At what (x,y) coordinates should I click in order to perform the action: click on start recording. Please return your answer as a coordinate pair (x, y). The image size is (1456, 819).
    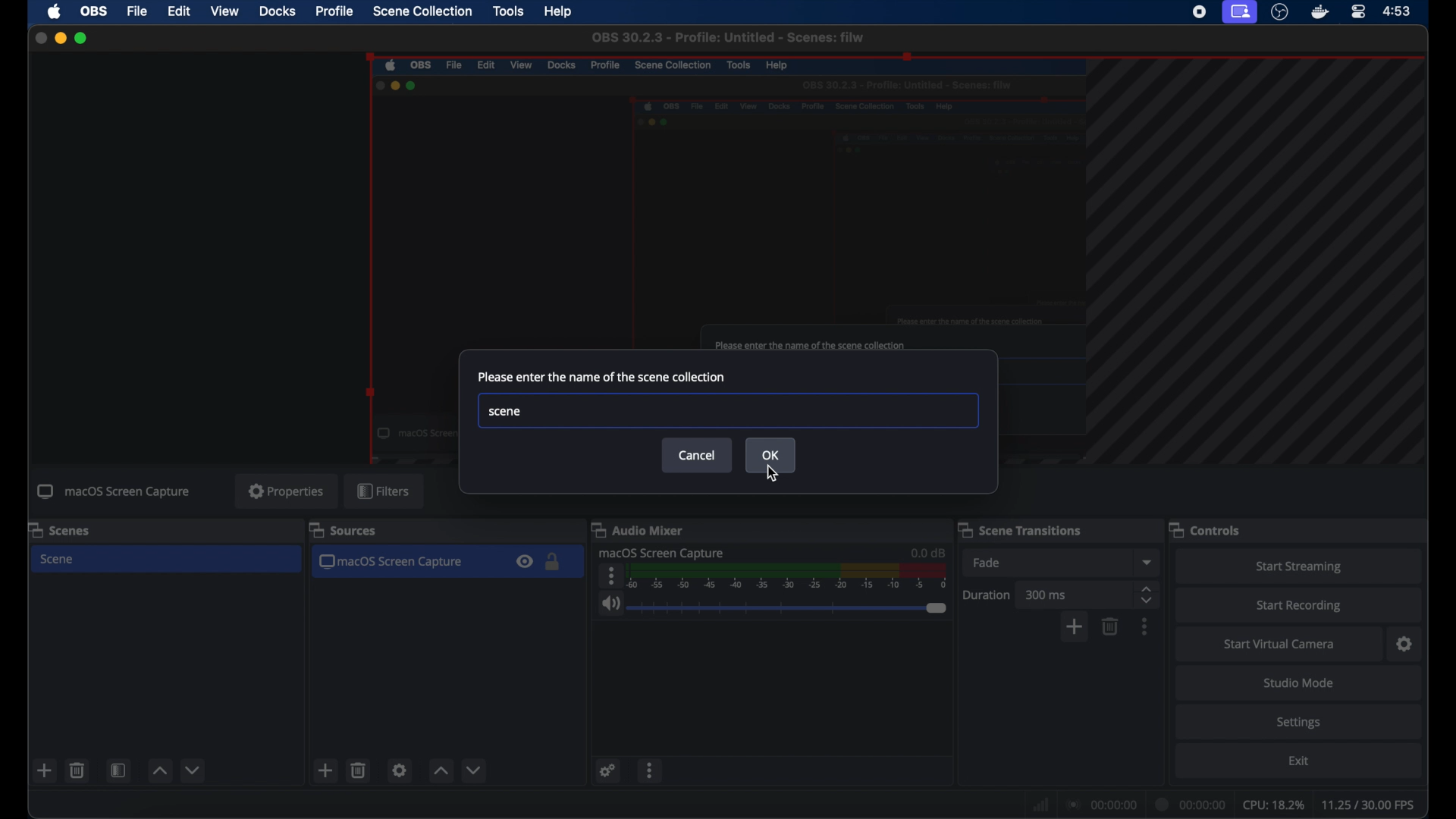
    Looking at the image, I should click on (1303, 604).